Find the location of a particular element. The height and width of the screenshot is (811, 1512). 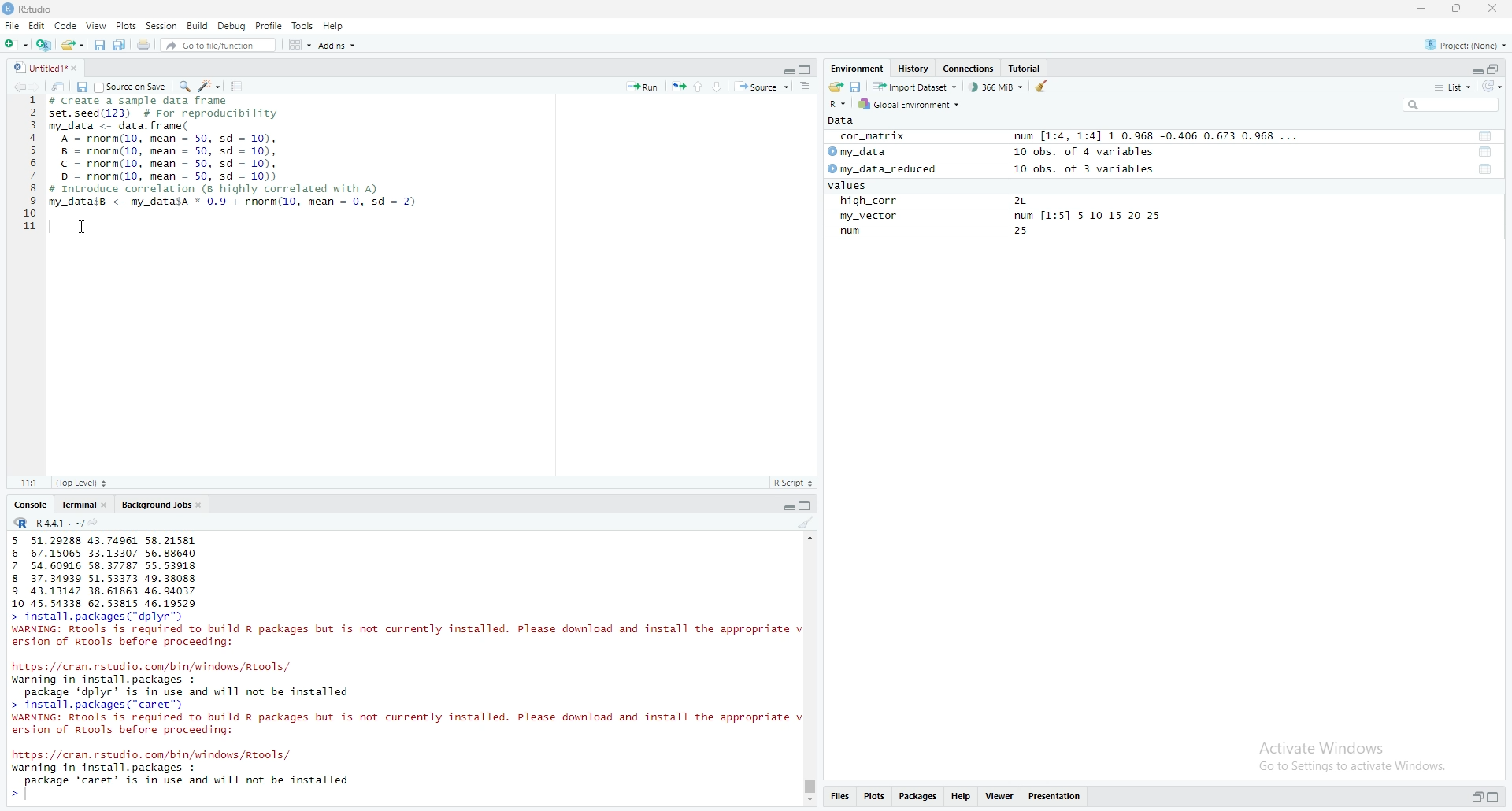

Connections  is located at coordinates (970, 68).